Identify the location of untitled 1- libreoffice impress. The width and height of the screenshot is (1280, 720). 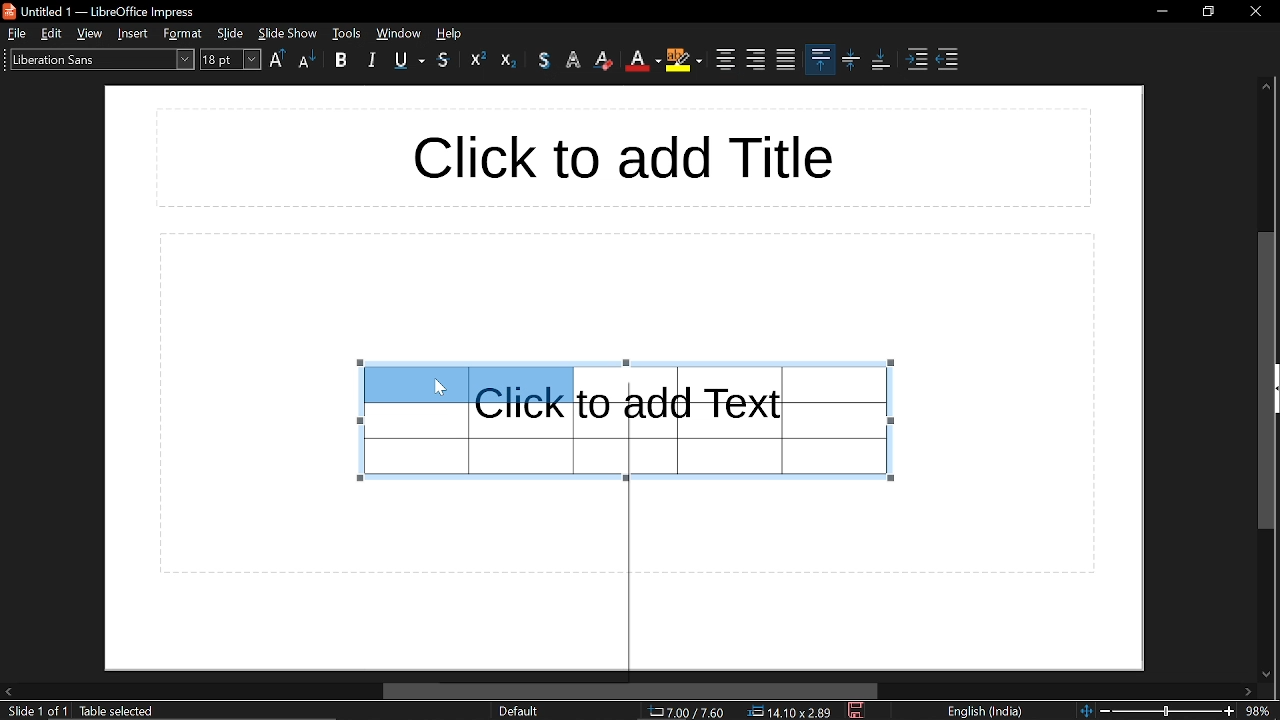
(104, 10).